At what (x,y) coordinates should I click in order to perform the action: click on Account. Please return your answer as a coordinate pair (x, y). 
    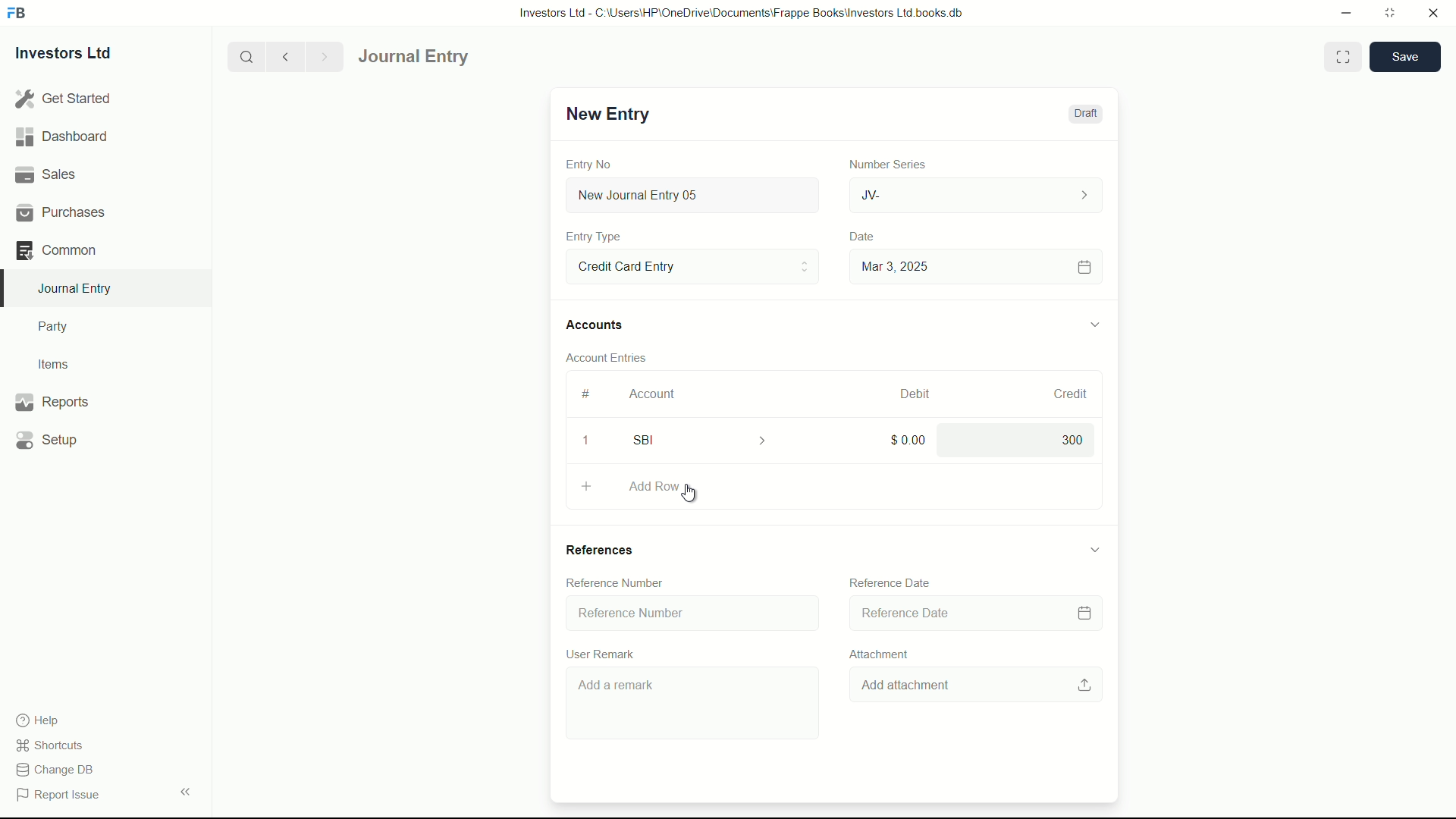
    Looking at the image, I should click on (653, 394).